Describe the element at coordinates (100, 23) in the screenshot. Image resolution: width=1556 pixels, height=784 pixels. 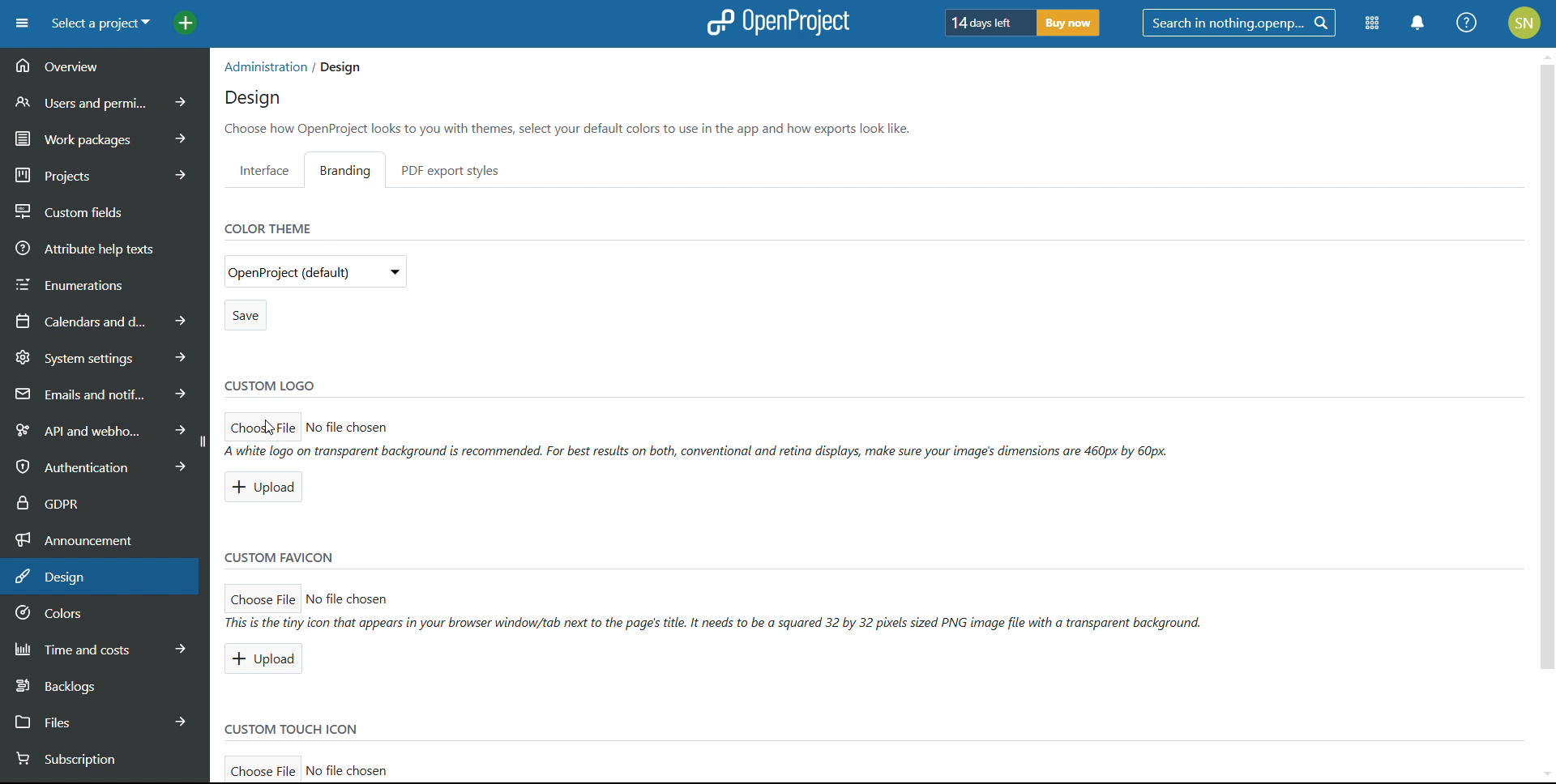
I see `select a project` at that location.